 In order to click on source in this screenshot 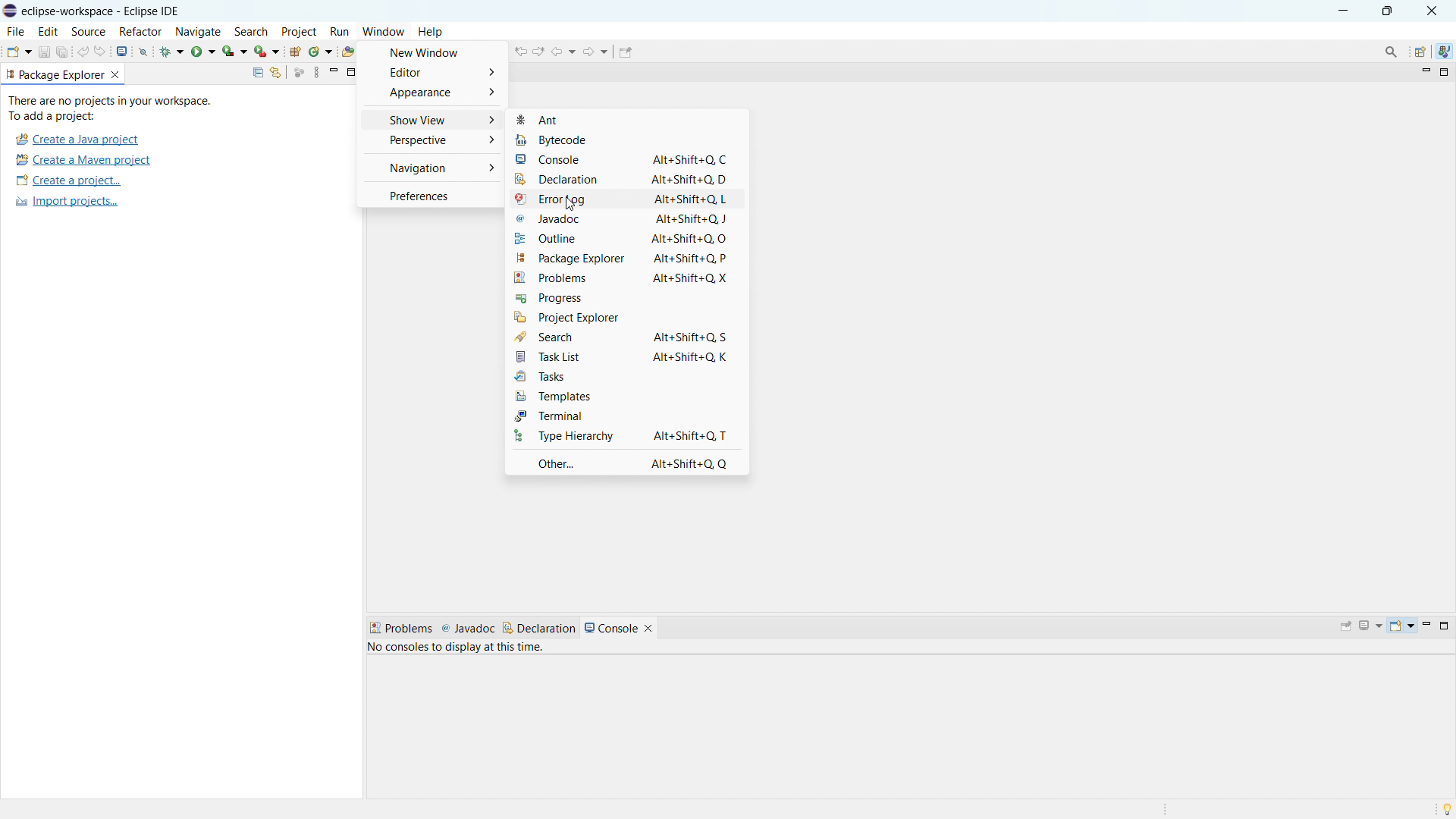, I will do `click(89, 31)`.